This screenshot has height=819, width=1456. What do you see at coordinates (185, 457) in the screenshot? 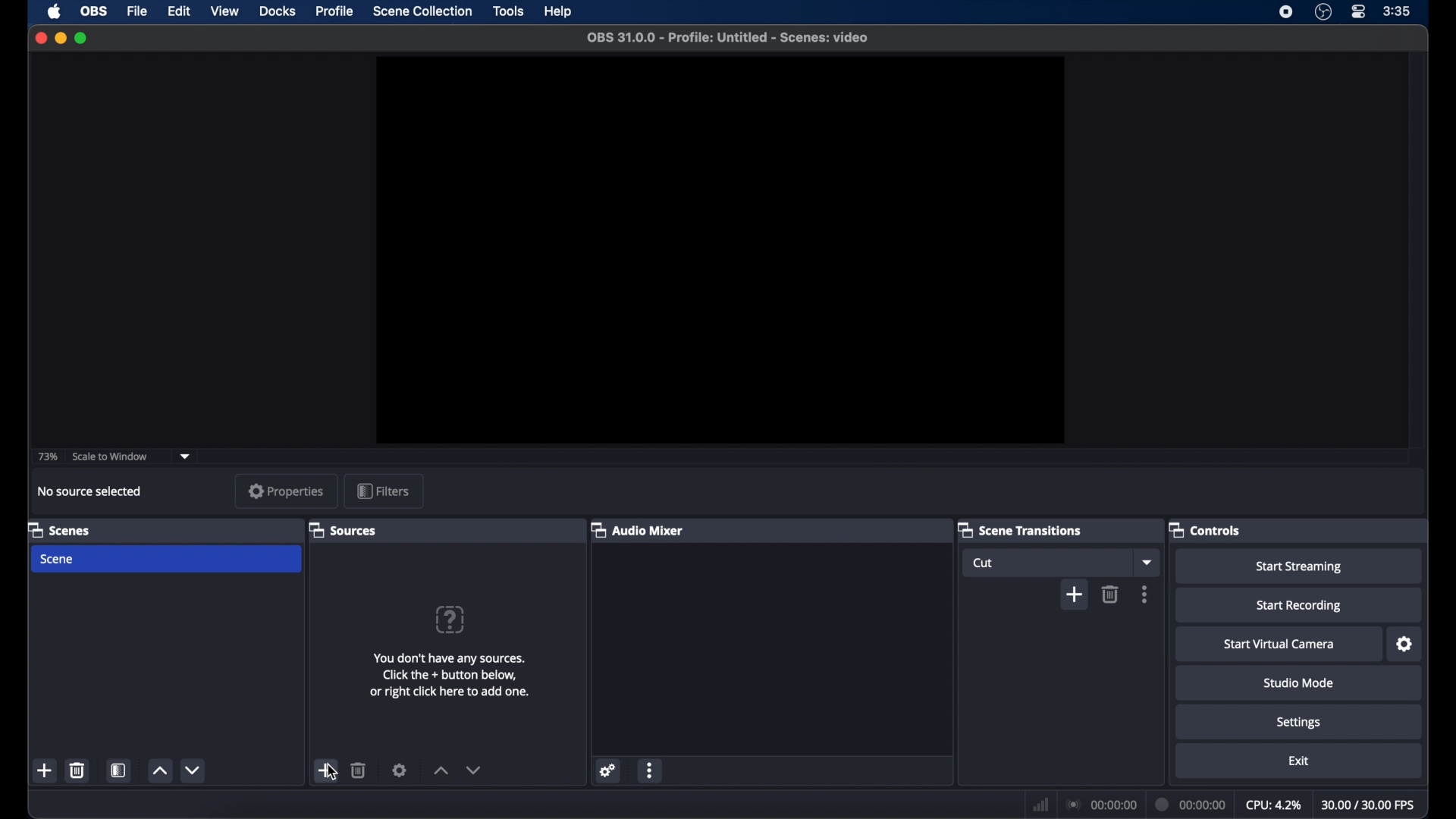
I see `dropdown` at bounding box center [185, 457].